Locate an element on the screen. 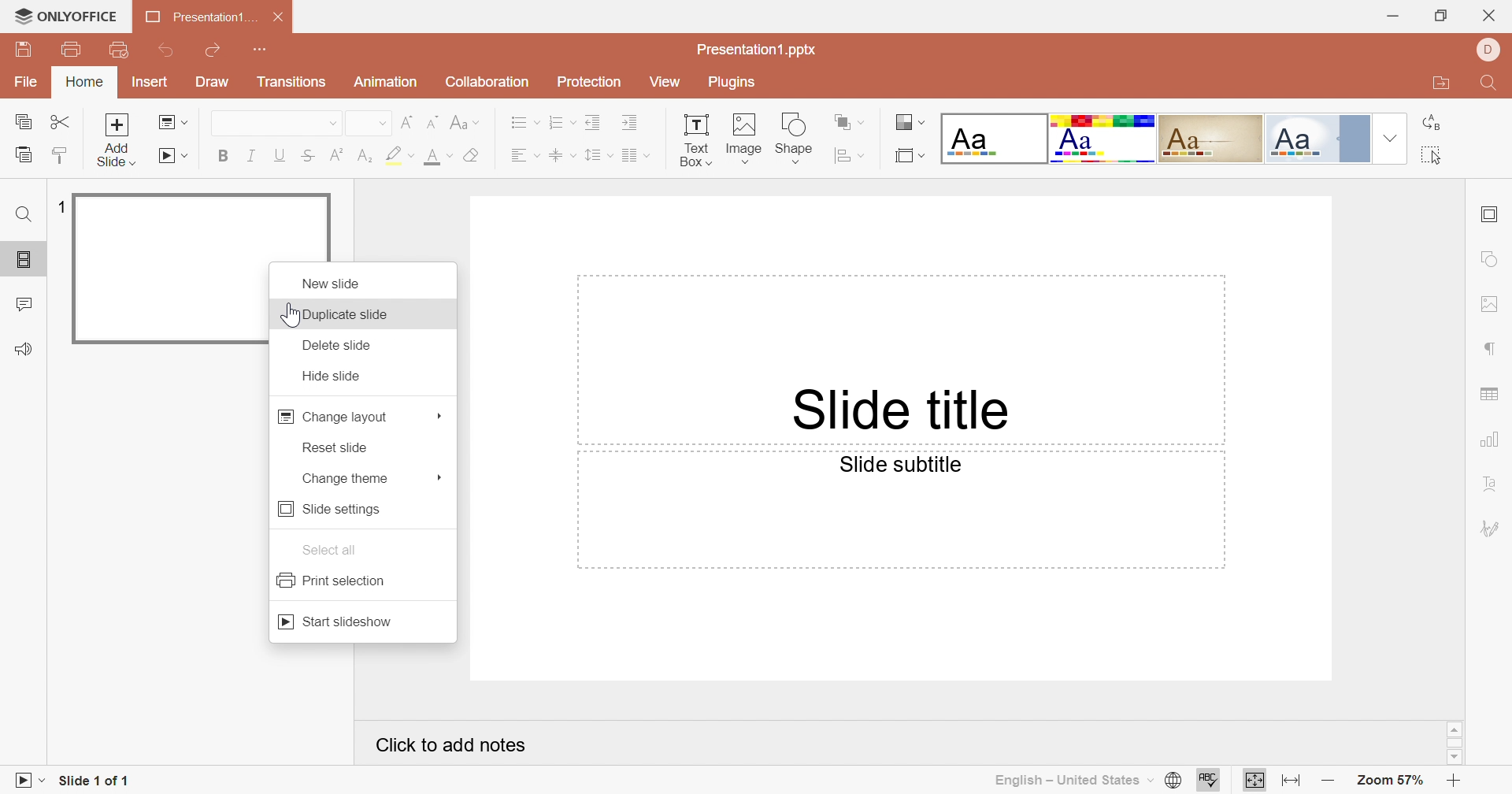 The height and width of the screenshot is (794, 1512). Drop Down is located at coordinates (480, 122).